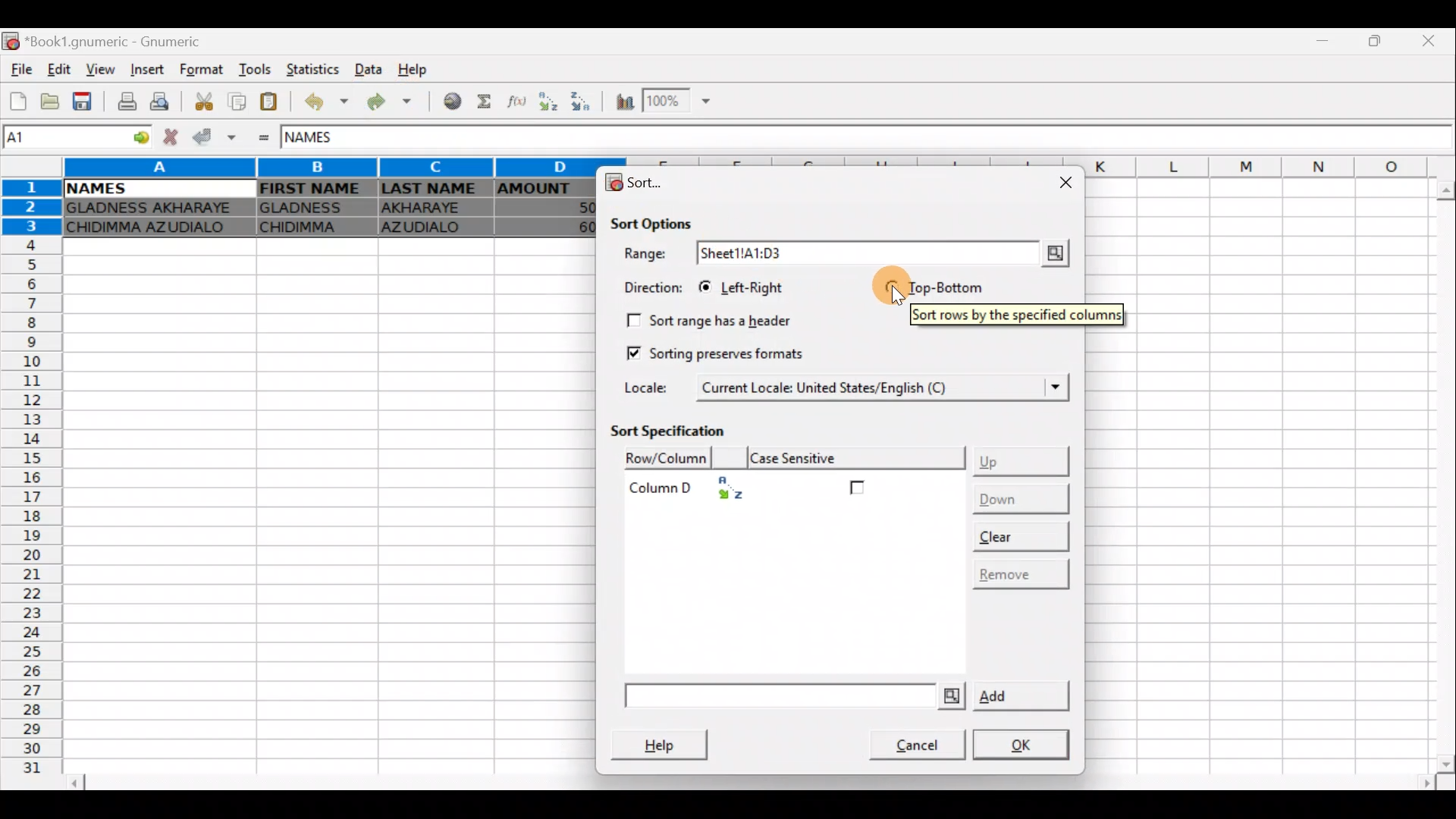 This screenshot has height=819, width=1456. Describe the element at coordinates (21, 71) in the screenshot. I see `File` at that location.